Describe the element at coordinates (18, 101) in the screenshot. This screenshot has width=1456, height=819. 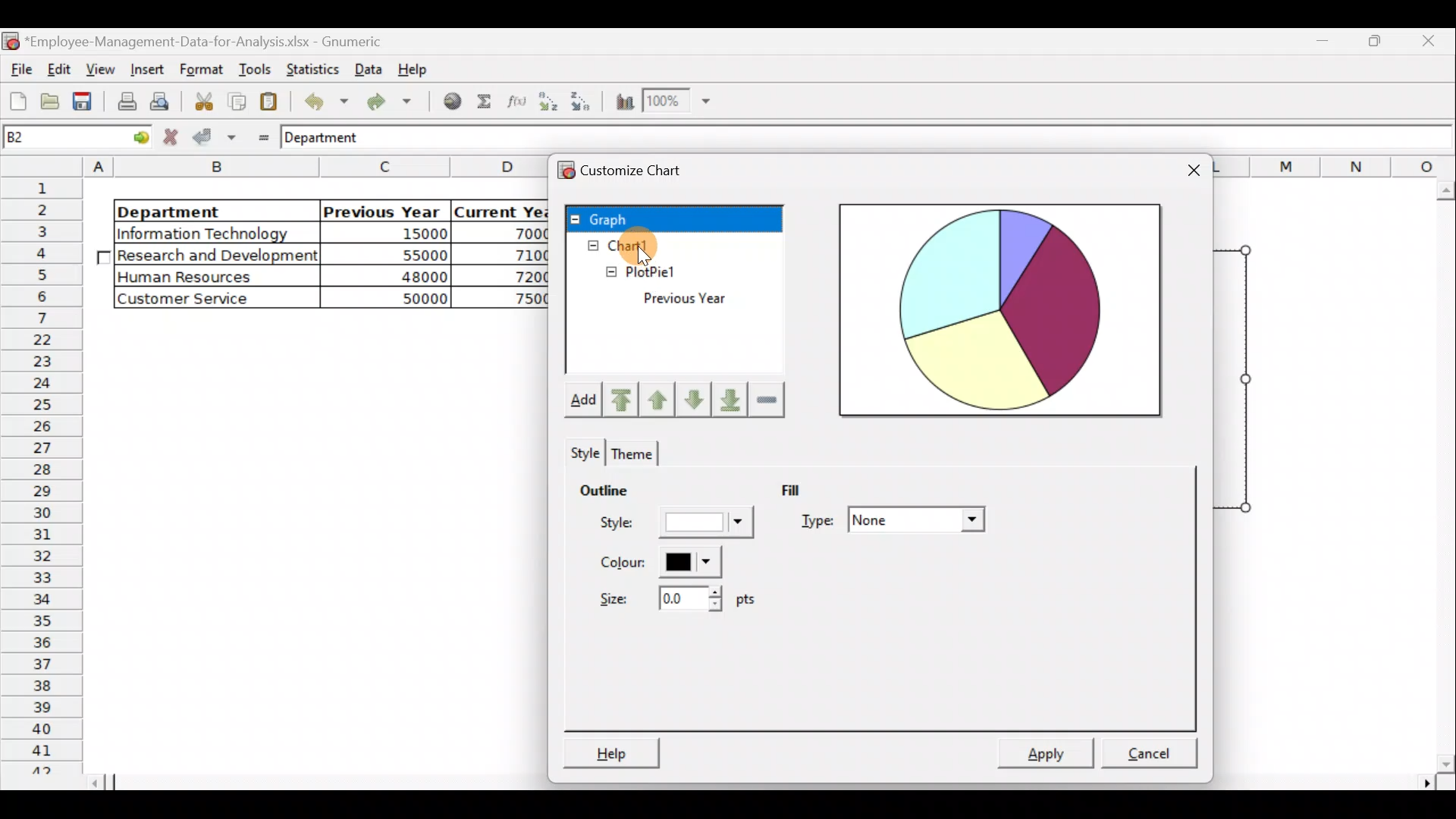
I see `Create a new workbook` at that location.